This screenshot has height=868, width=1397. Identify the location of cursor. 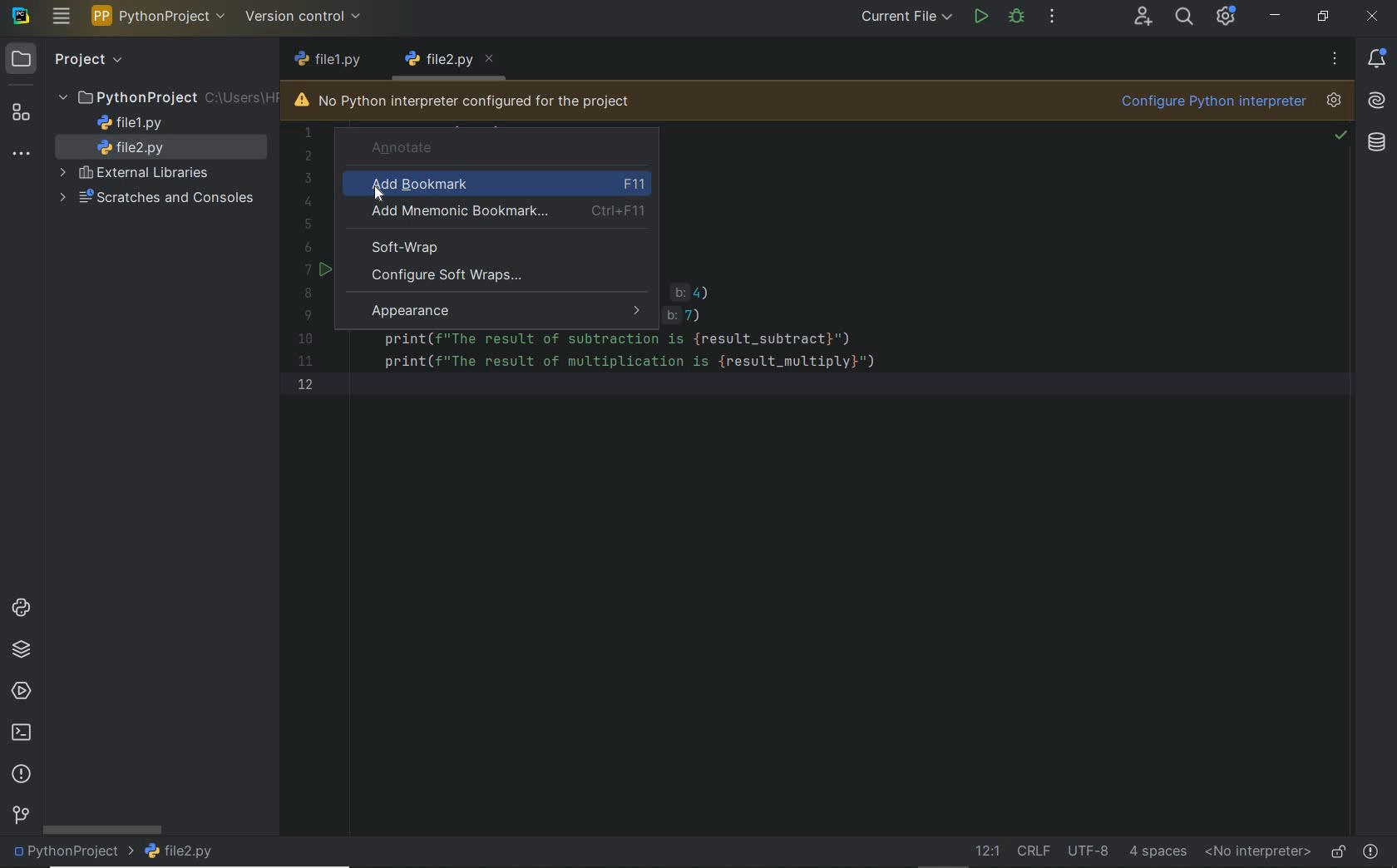
(382, 197).